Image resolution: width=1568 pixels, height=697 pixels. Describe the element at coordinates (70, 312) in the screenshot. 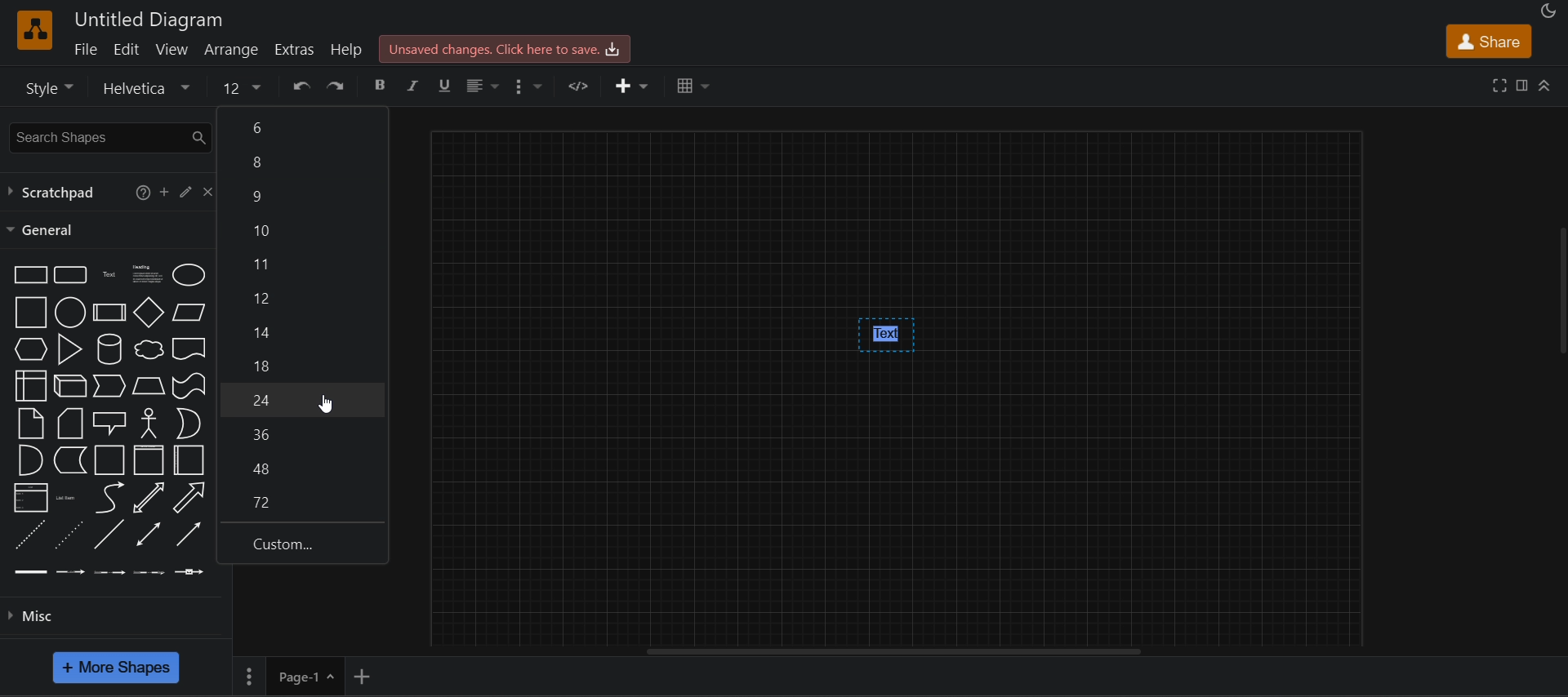

I see `Circle` at that location.